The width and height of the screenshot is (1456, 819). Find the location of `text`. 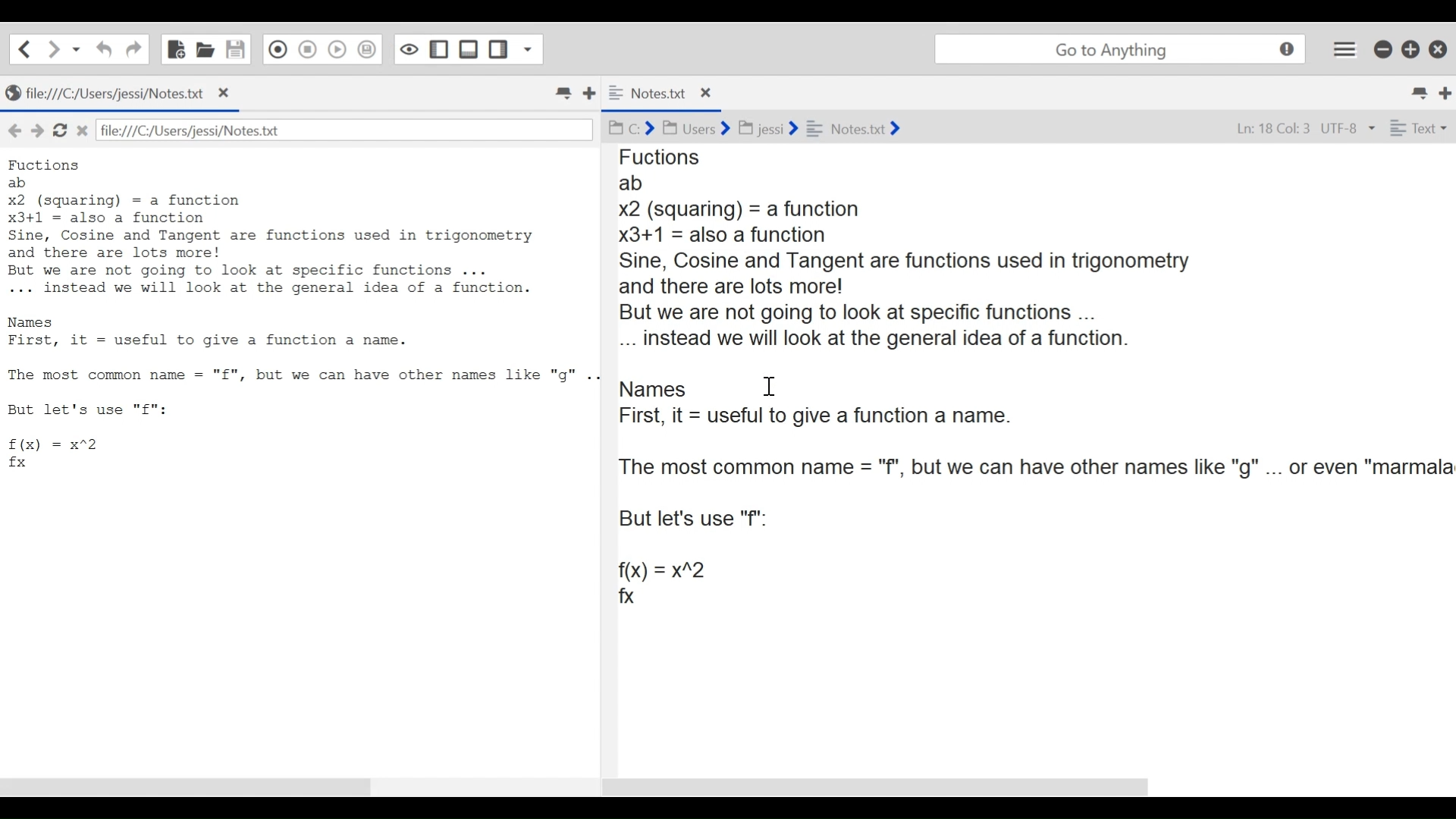

text is located at coordinates (1421, 129).